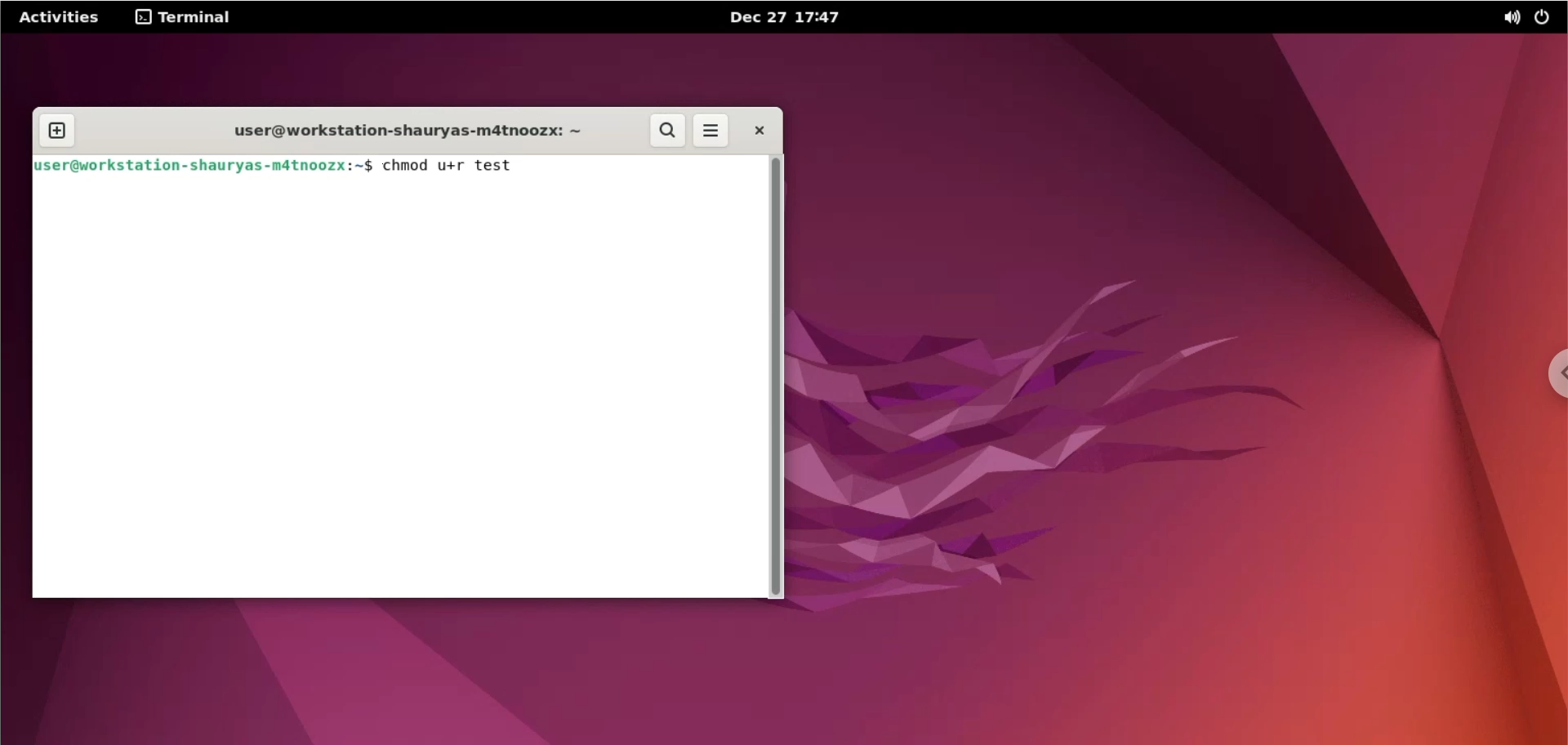 The width and height of the screenshot is (1568, 745). I want to click on sound options, so click(1508, 16).